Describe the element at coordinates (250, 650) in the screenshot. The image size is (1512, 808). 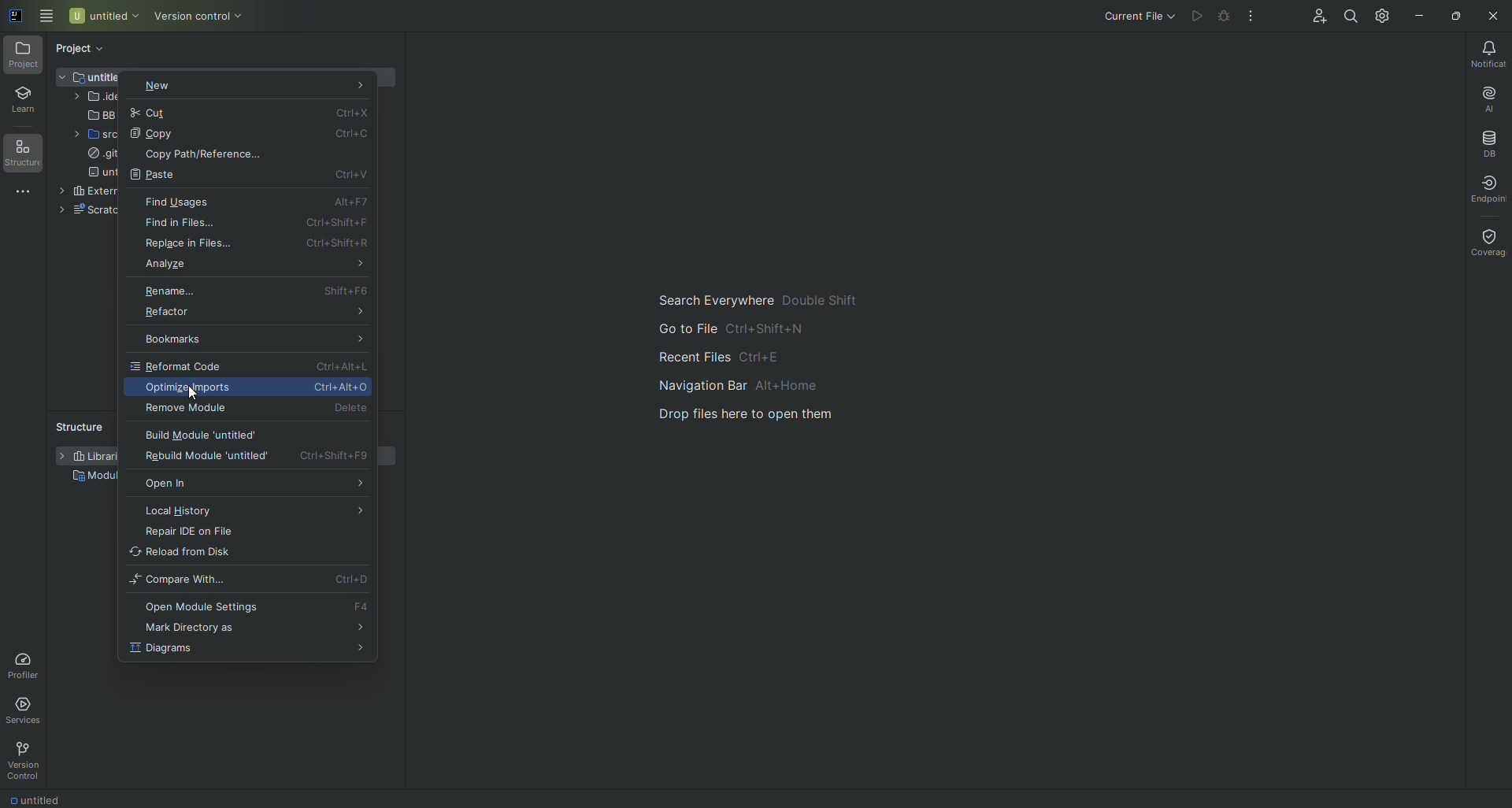
I see `Diagrams` at that location.